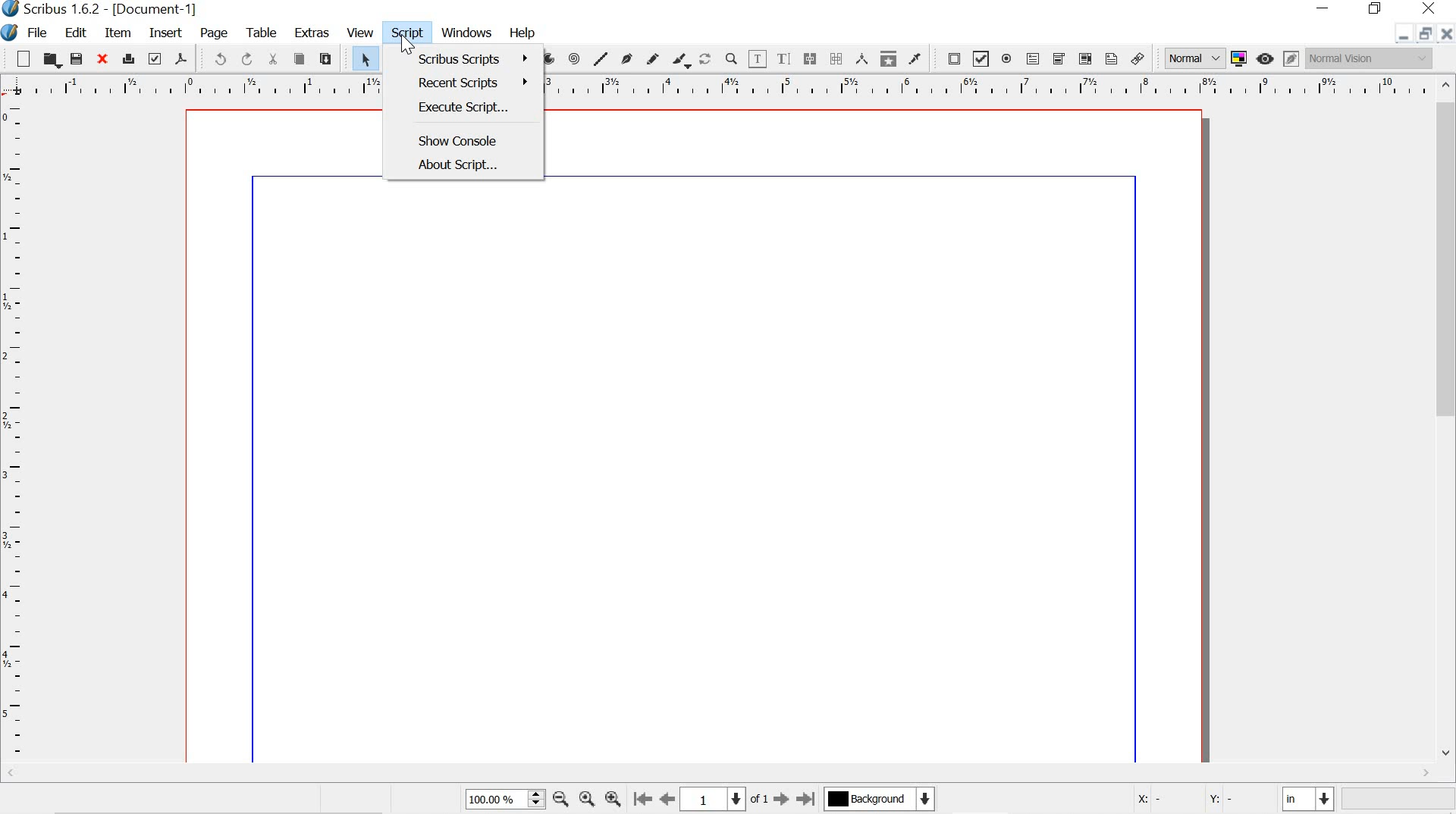 The height and width of the screenshot is (814, 1456). I want to click on print, so click(127, 59).